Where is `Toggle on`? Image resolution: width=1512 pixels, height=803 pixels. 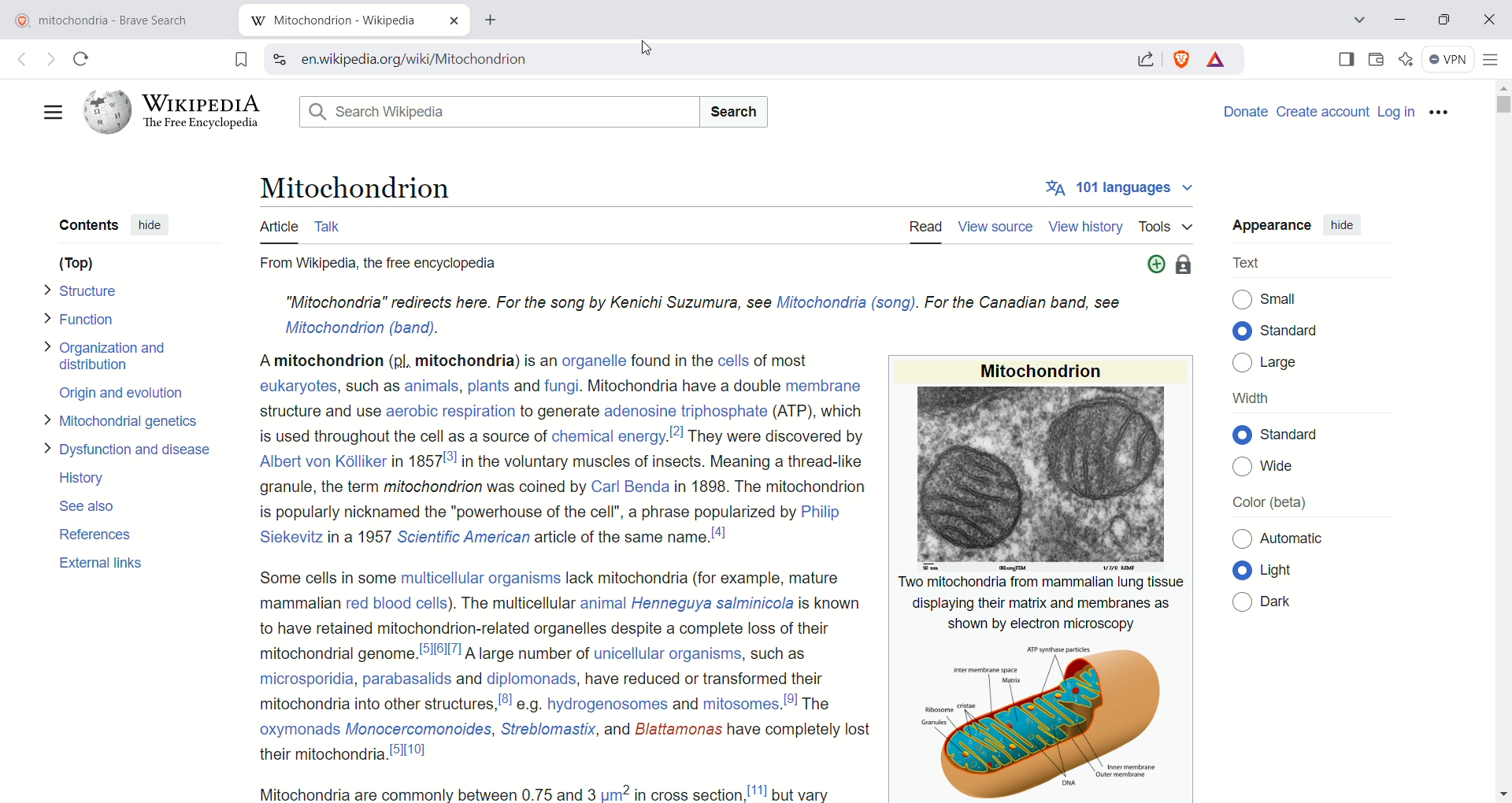
Toggle on is located at coordinates (1241, 435).